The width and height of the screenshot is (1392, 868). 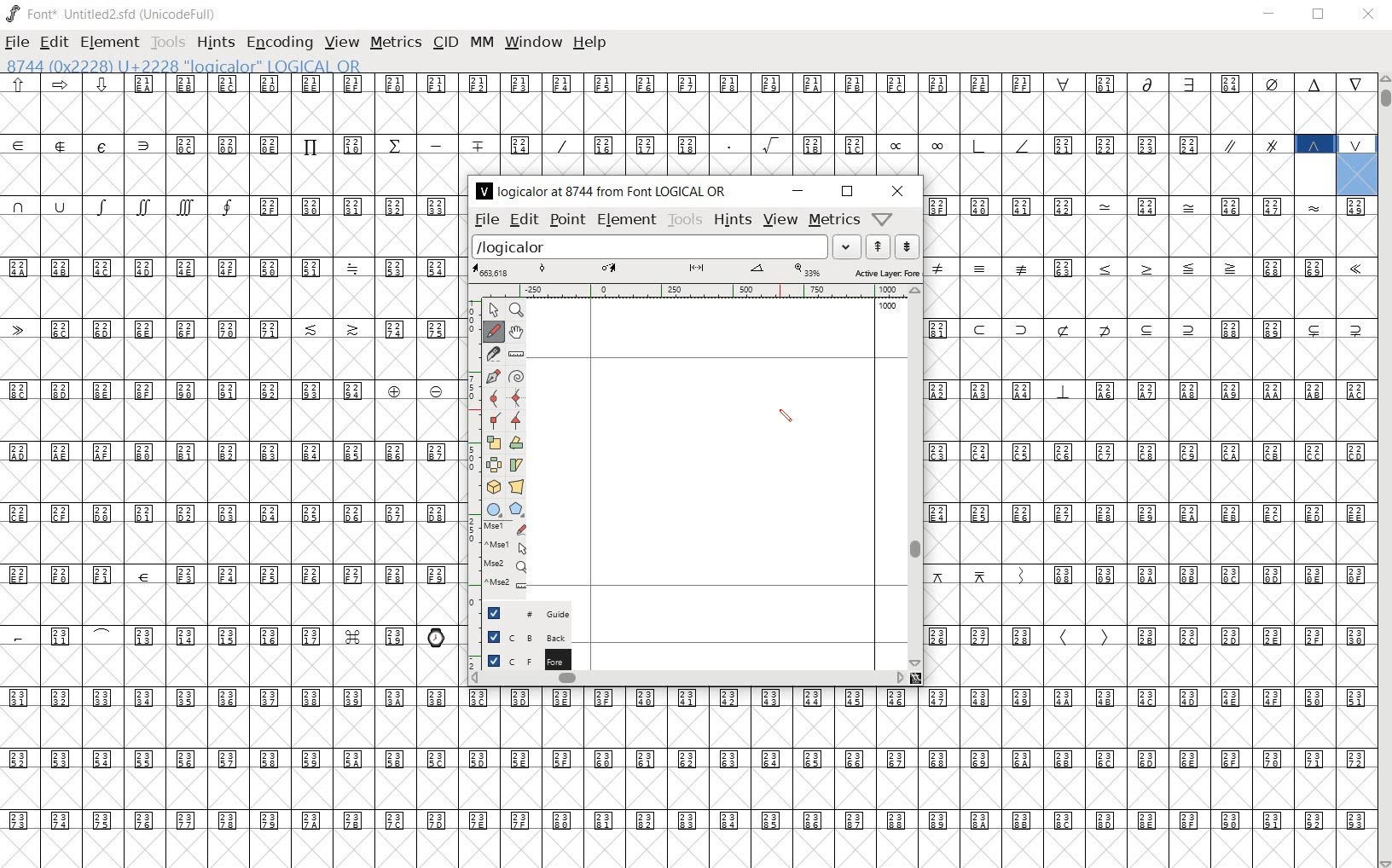 What do you see at coordinates (919, 807) in the screenshot?
I see `glyph characters` at bounding box center [919, 807].